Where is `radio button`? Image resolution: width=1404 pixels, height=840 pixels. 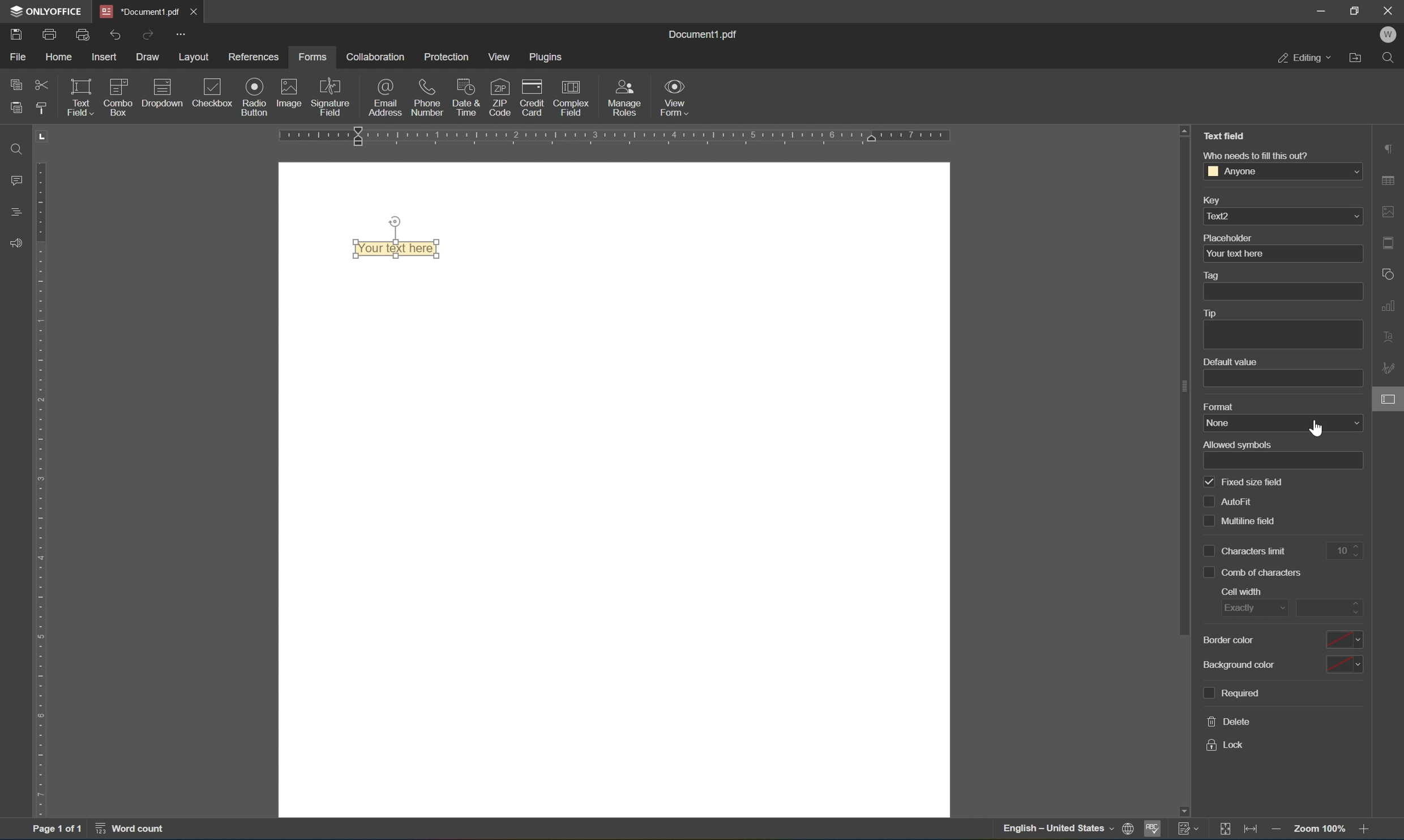
radio button is located at coordinates (254, 96).